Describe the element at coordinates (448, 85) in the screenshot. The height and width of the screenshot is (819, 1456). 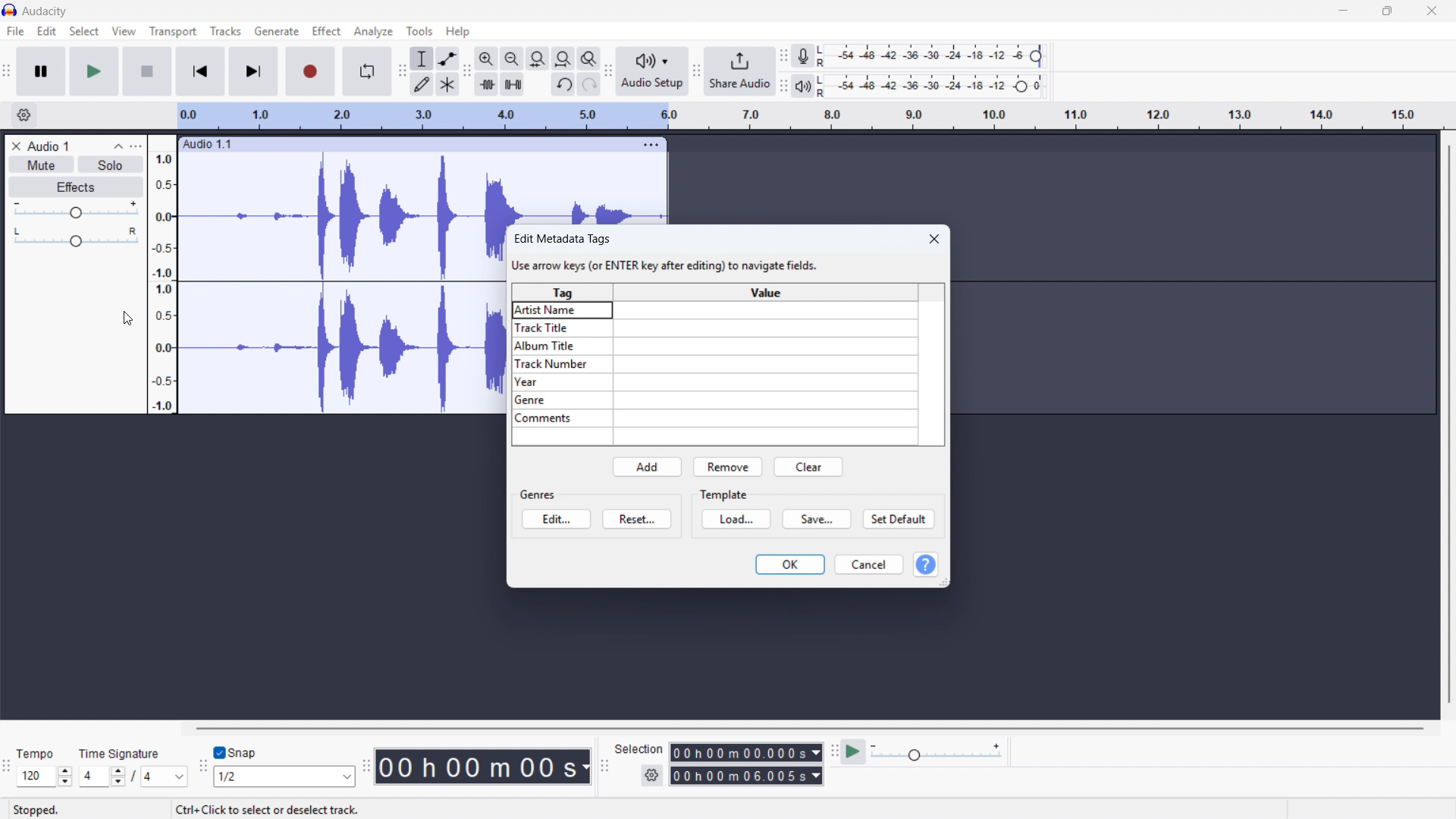
I see `multi tool` at that location.